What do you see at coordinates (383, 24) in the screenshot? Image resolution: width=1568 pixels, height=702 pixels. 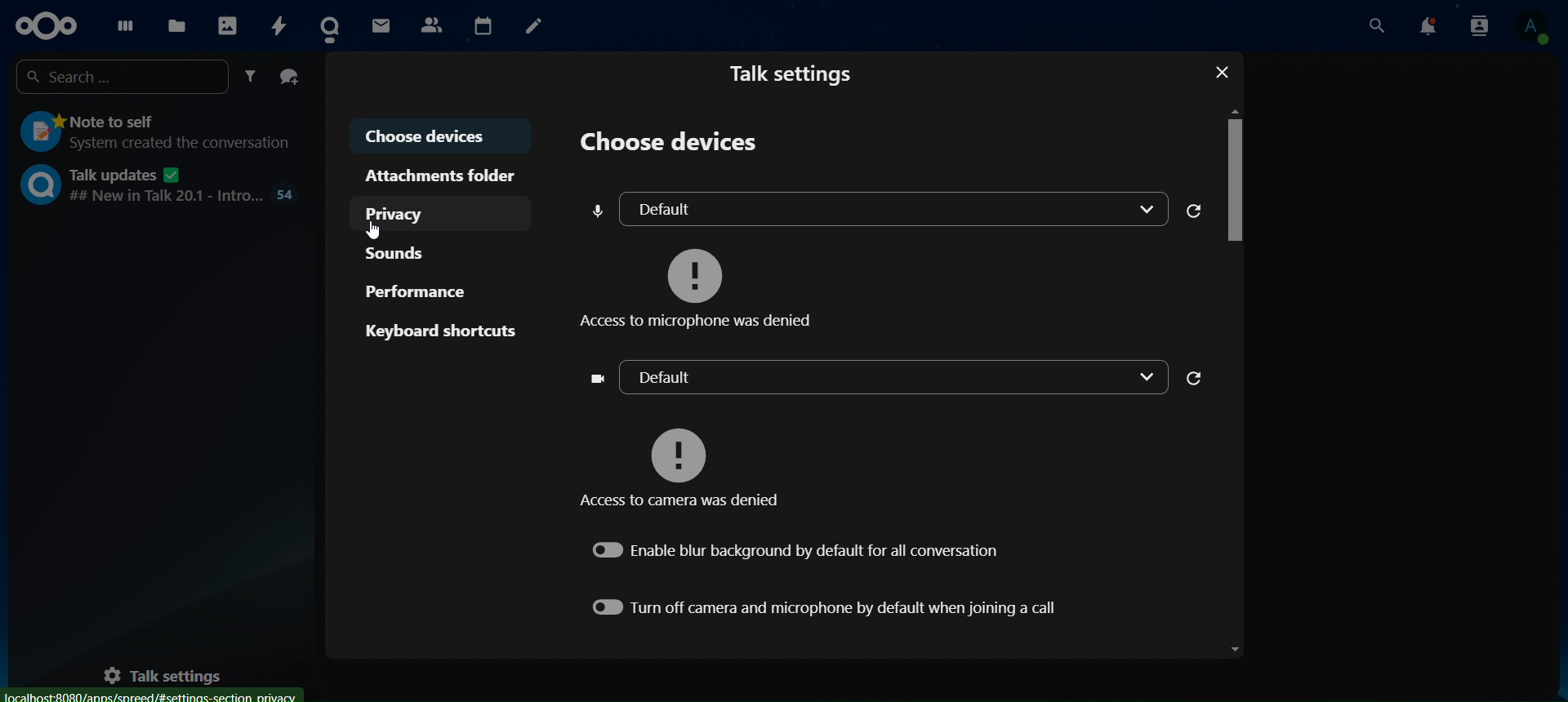 I see `mail` at bounding box center [383, 24].